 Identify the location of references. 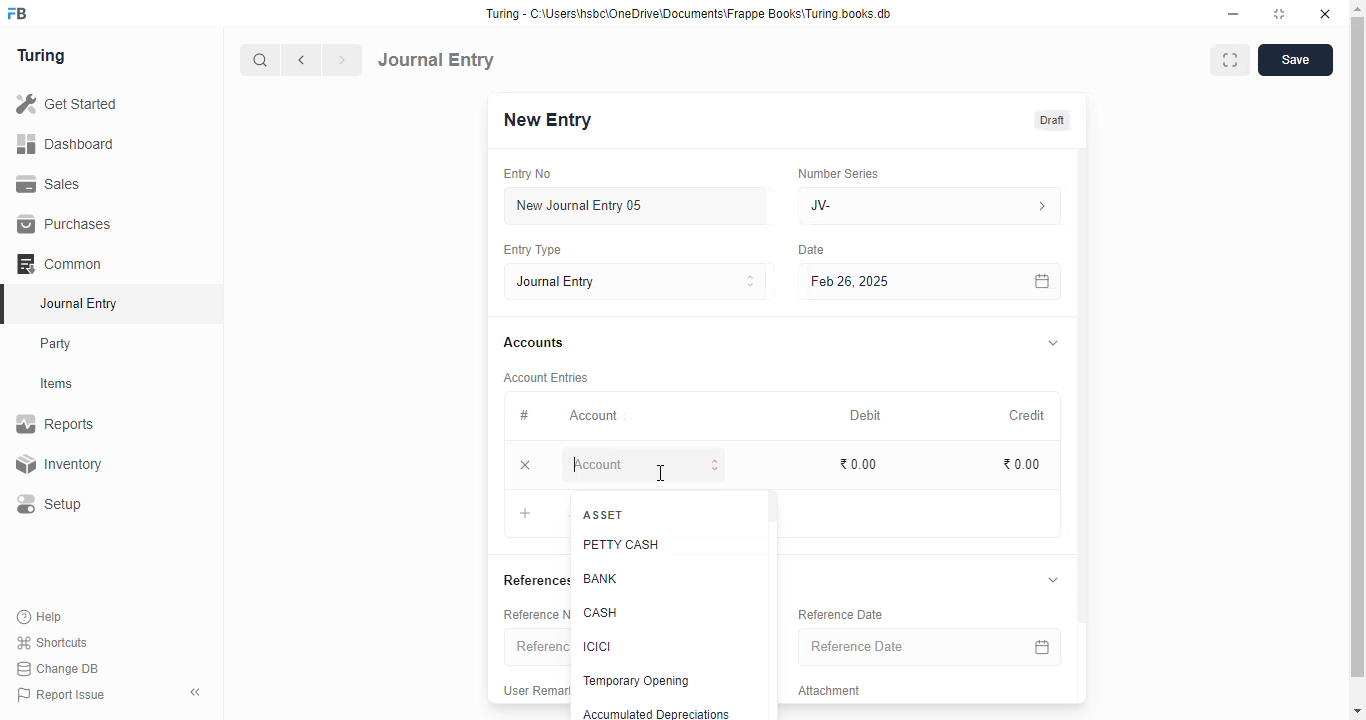
(534, 580).